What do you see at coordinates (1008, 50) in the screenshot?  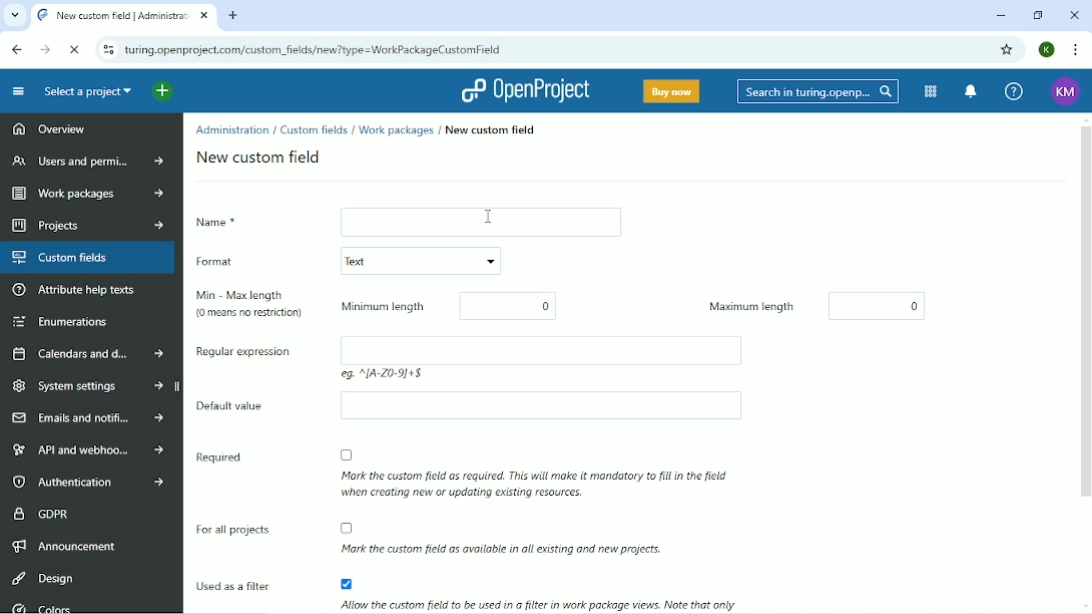 I see `Bookmark this tab` at bounding box center [1008, 50].